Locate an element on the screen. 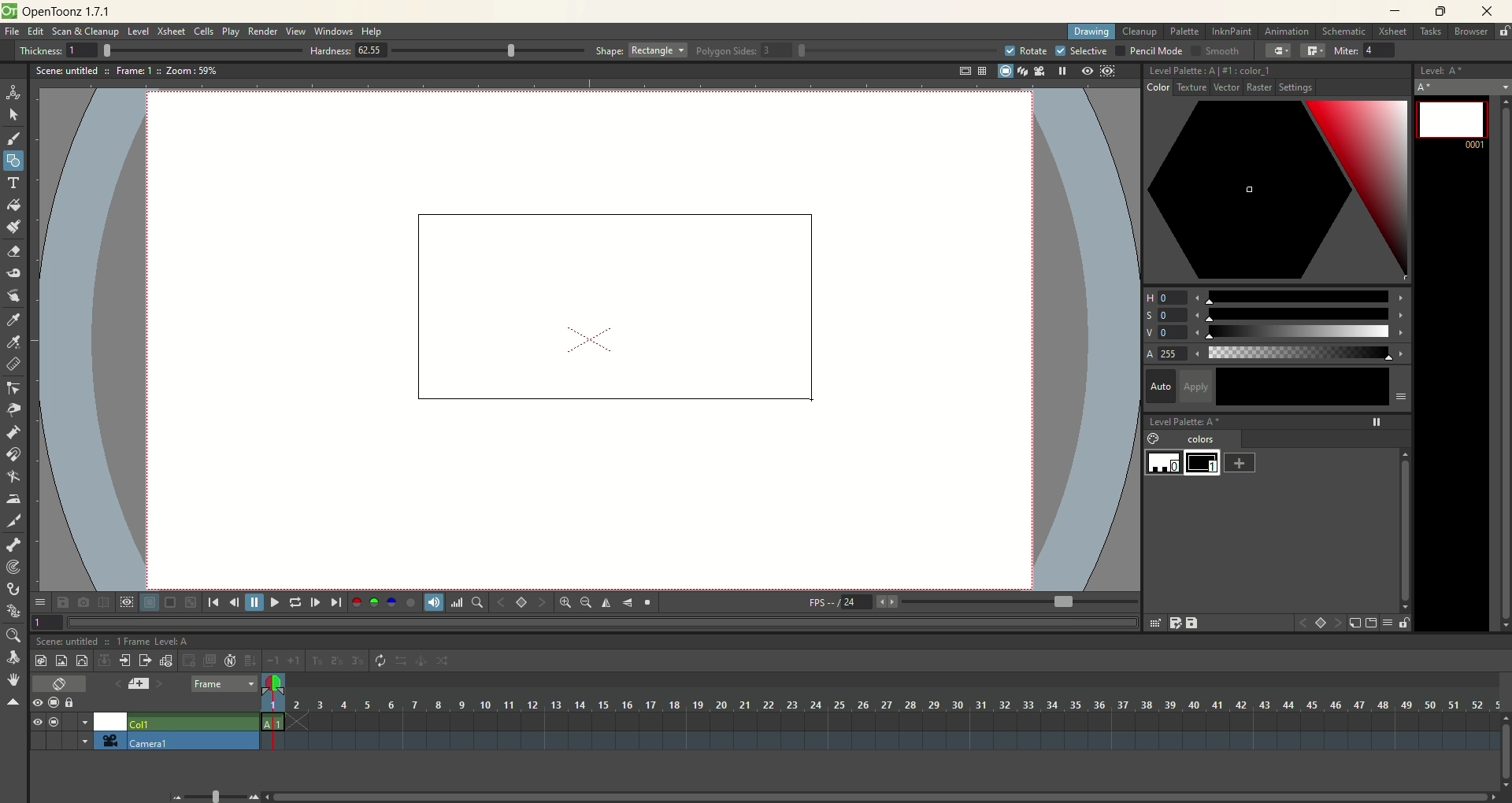 This screenshot has height=803, width=1512. selection tool is located at coordinates (13, 114).